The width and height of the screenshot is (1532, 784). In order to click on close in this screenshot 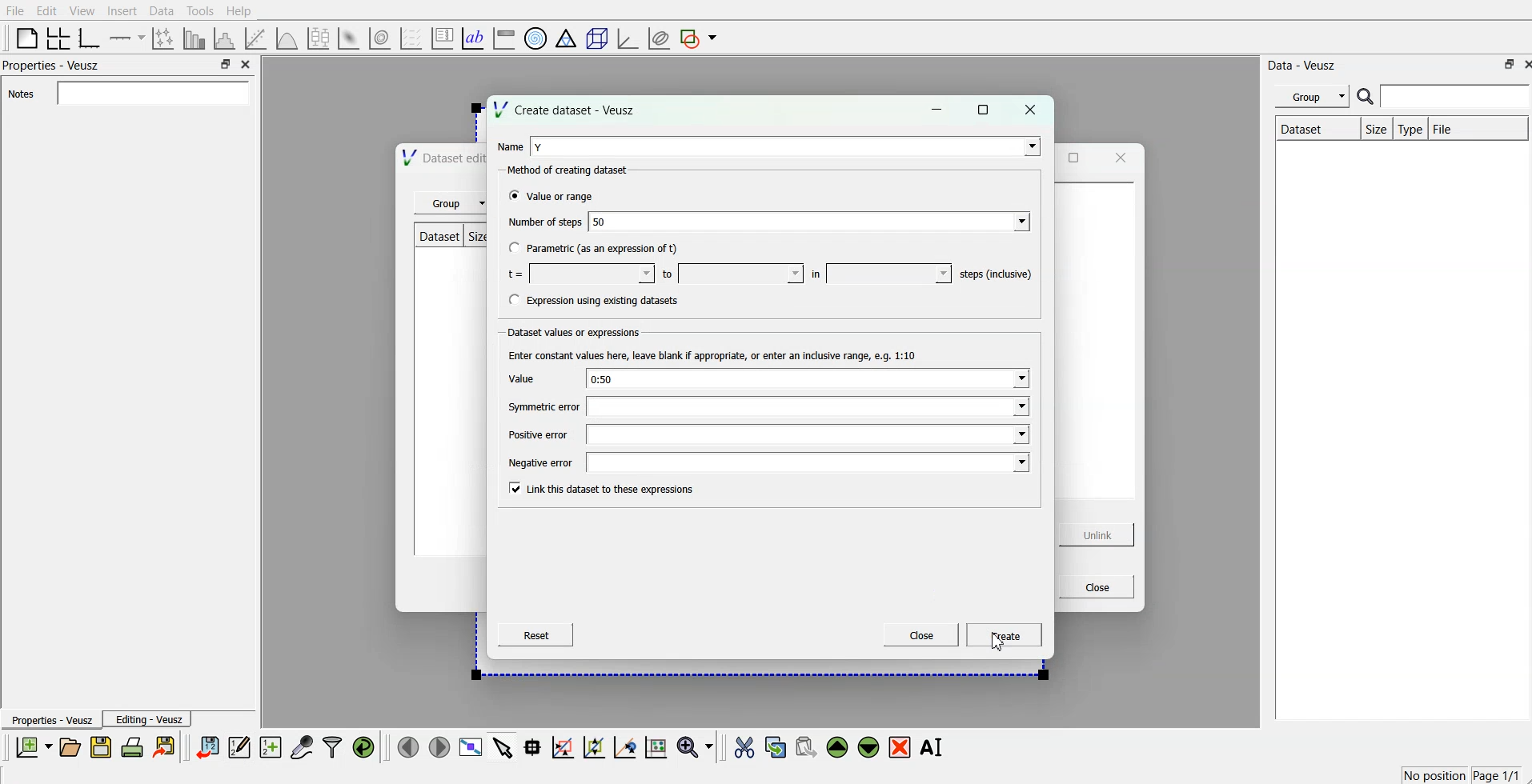, I will do `click(1120, 158)`.